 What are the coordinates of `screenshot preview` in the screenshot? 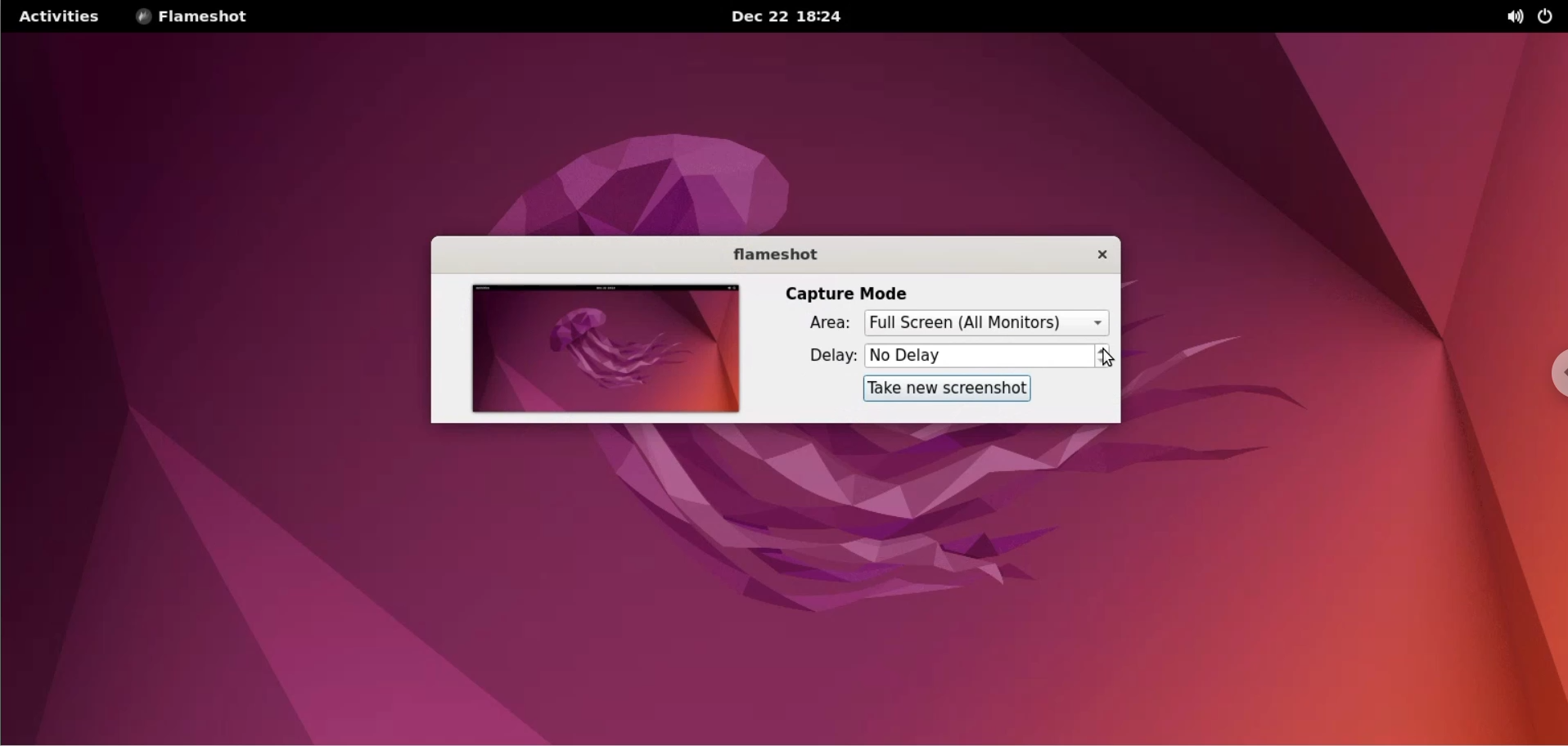 It's located at (606, 347).